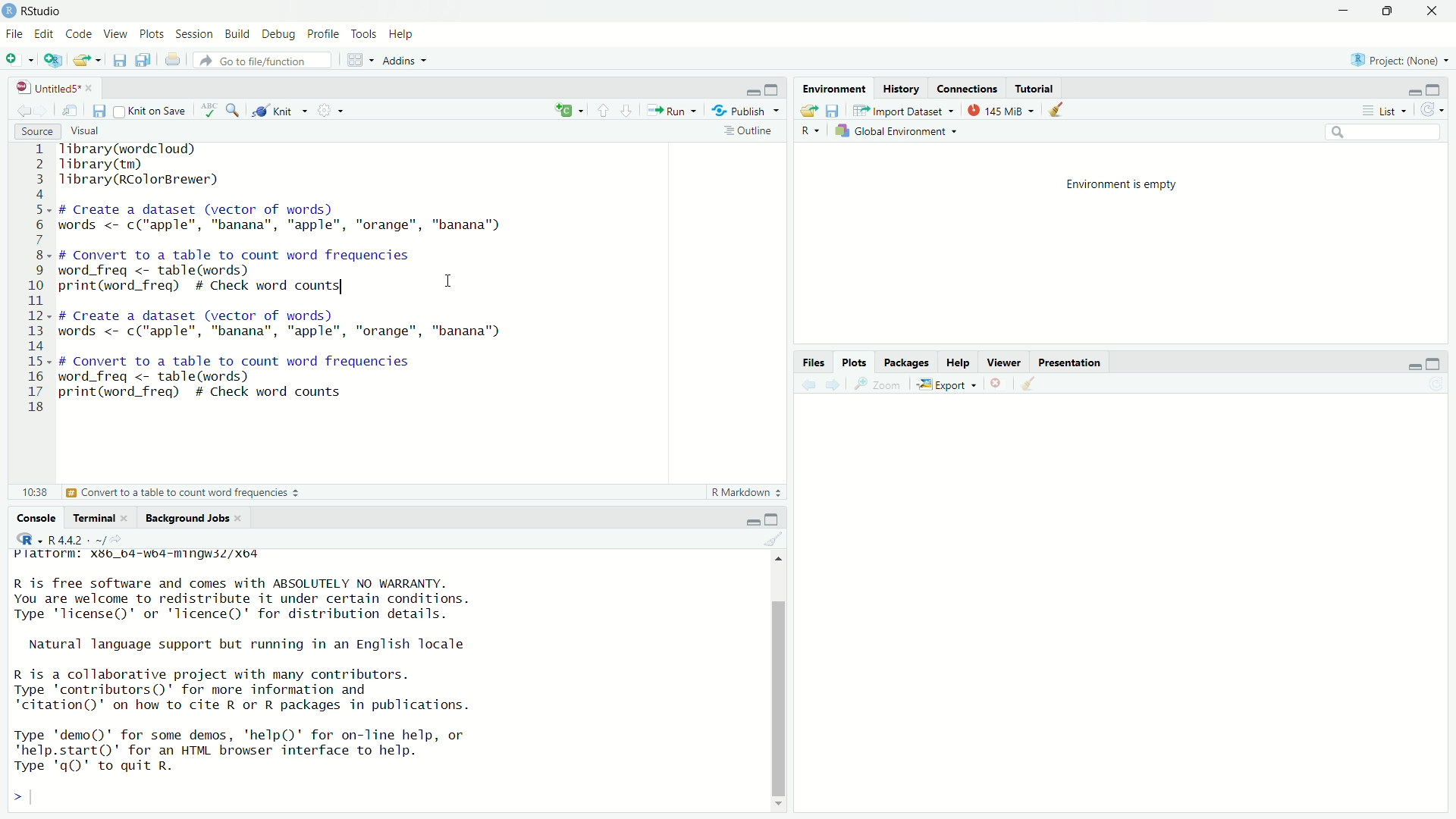 This screenshot has width=1456, height=819. Describe the element at coordinates (104, 518) in the screenshot. I see `Terminal` at that location.